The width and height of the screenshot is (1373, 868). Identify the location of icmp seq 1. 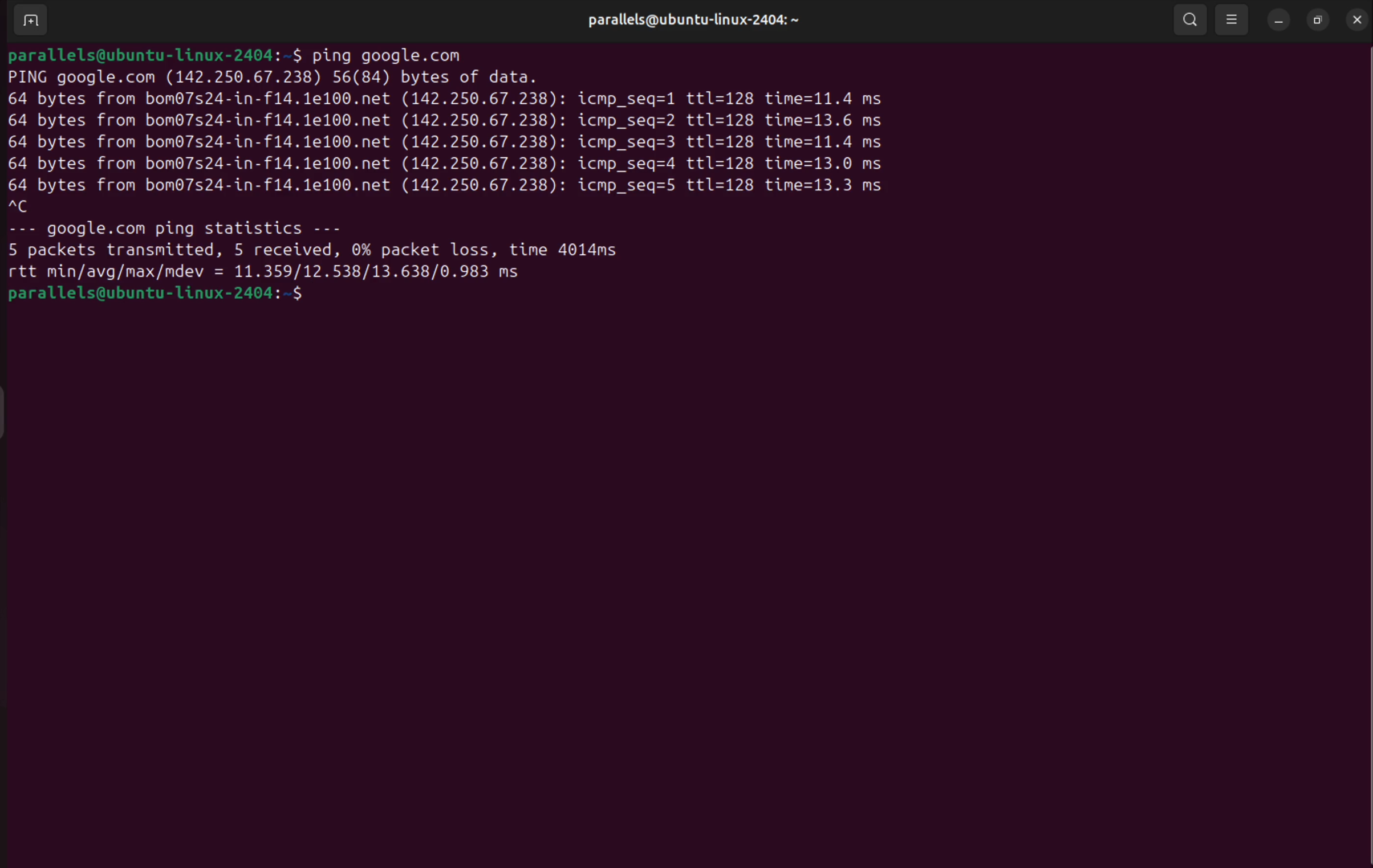
(627, 99).